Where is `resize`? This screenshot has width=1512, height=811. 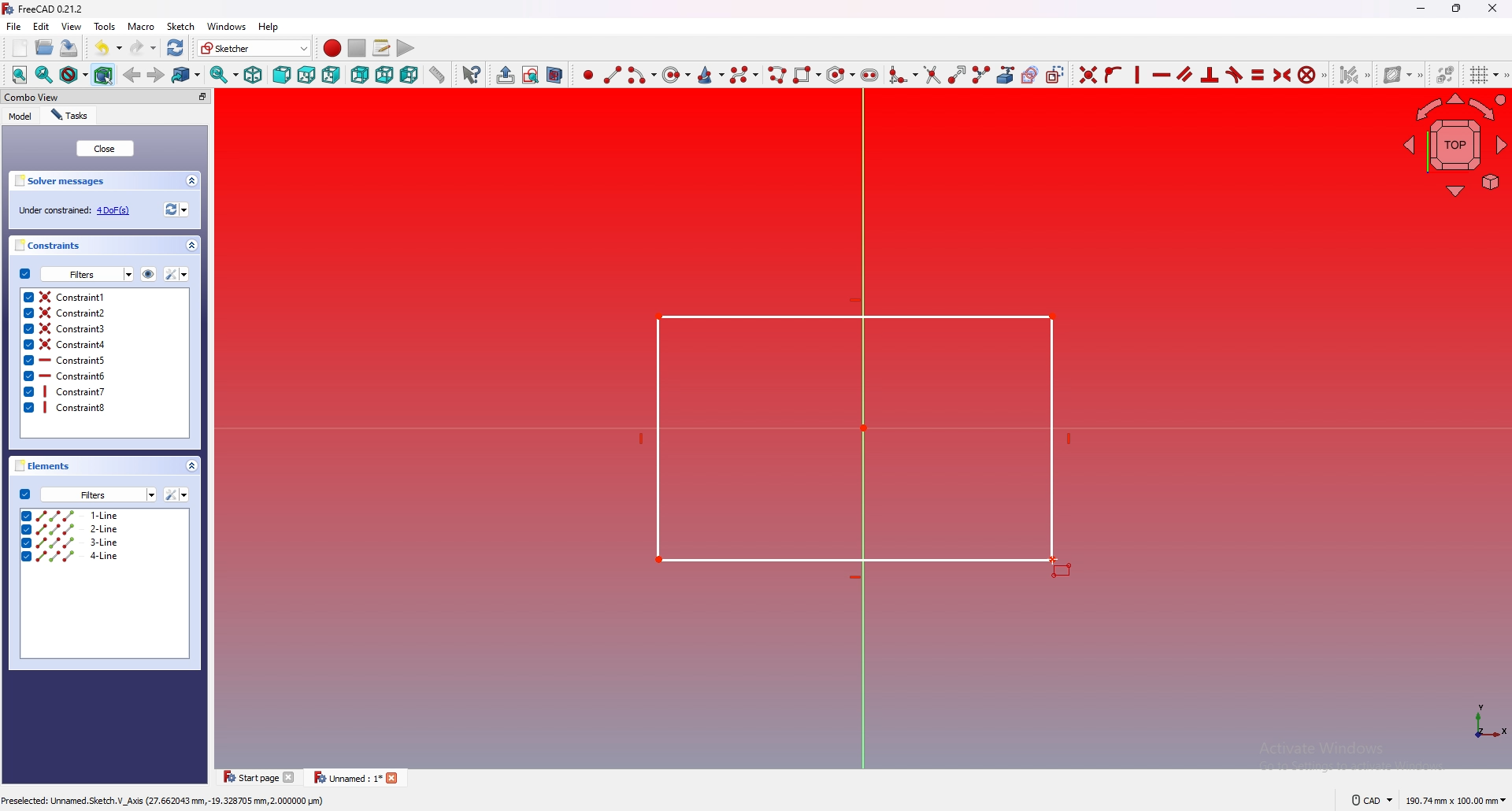 resize is located at coordinates (1457, 9).